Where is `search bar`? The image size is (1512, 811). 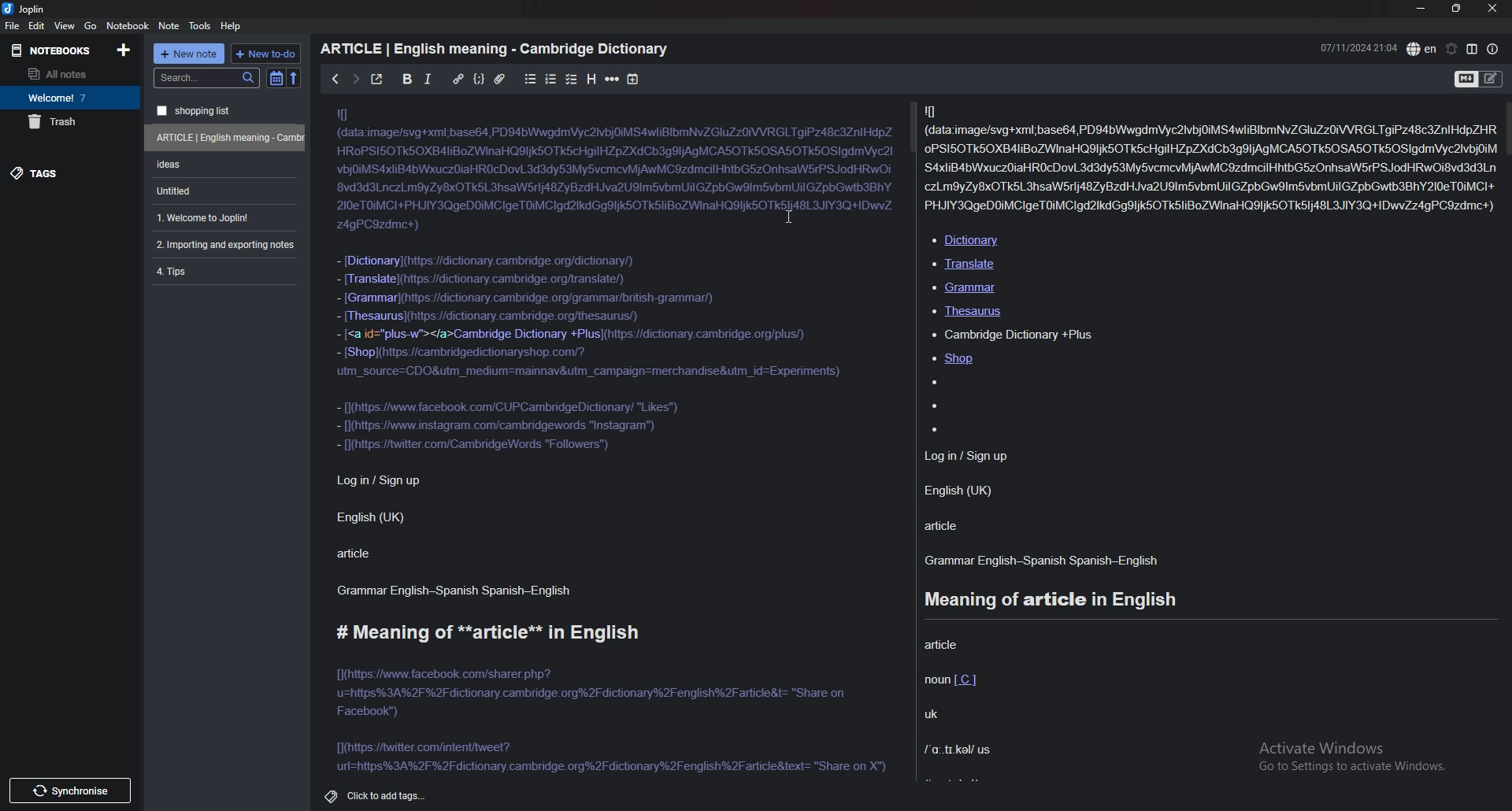
search bar is located at coordinates (208, 76).